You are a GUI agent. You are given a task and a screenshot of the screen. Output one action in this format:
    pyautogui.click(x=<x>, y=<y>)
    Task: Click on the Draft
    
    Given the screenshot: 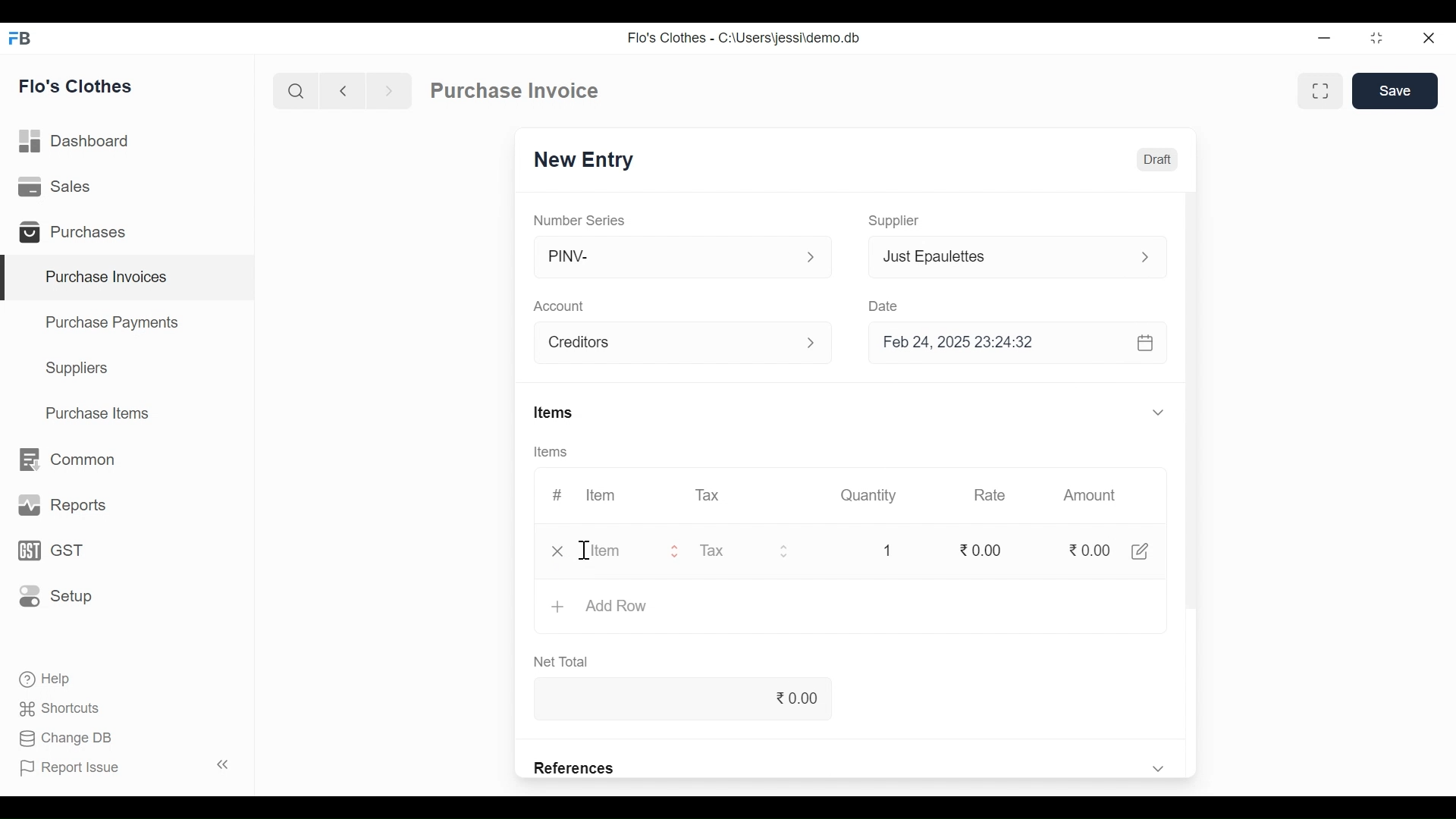 What is the action you would take?
    pyautogui.click(x=1157, y=158)
    